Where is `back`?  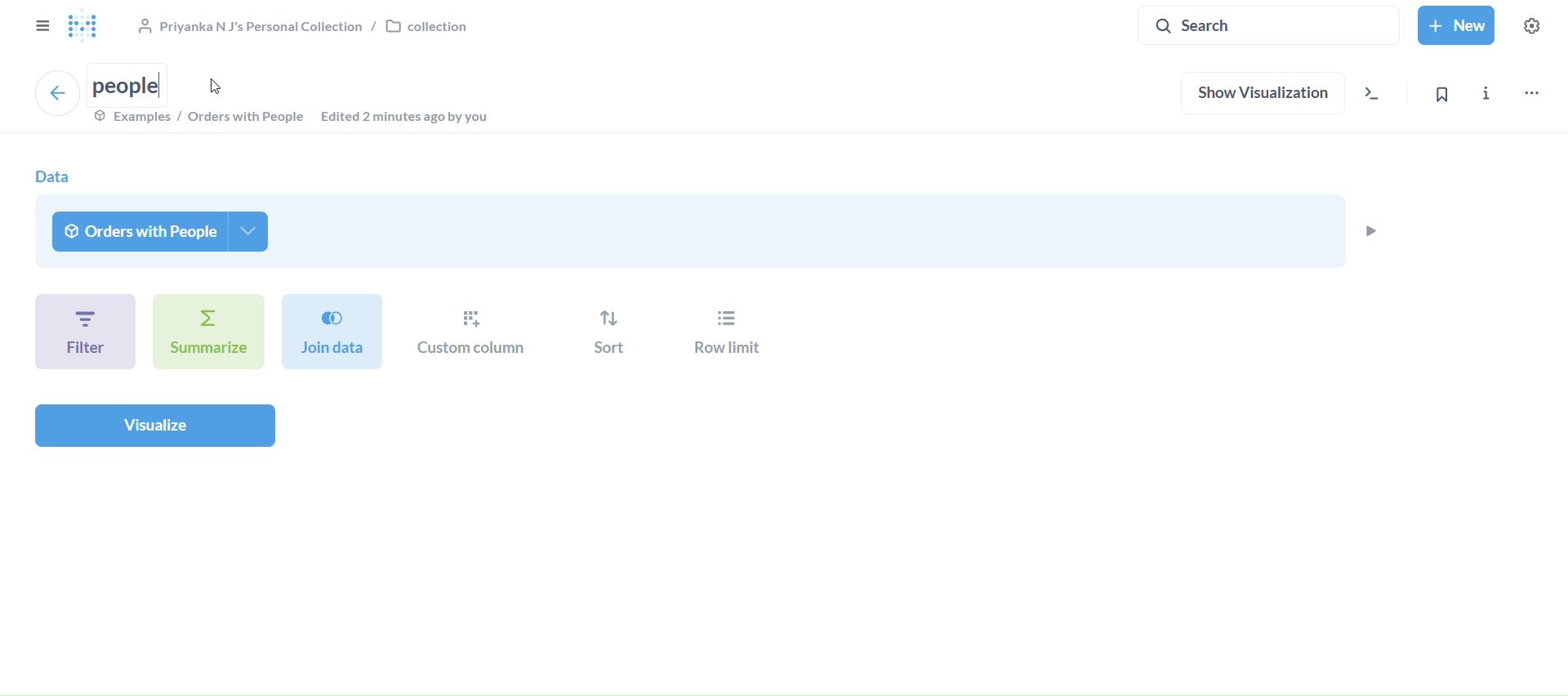
back is located at coordinates (57, 92).